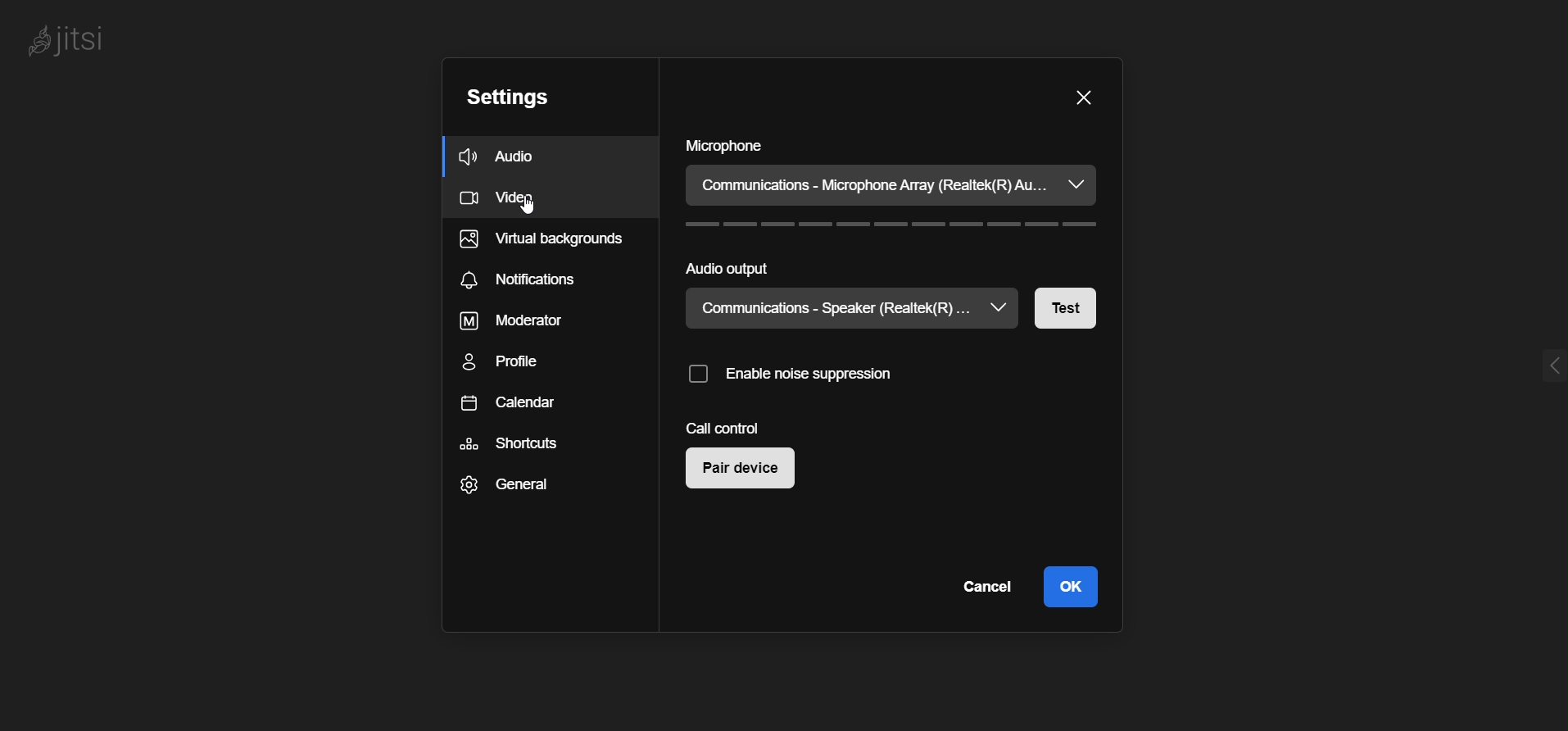 The height and width of the screenshot is (731, 1568). Describe the element at coordinates (518, 366) in the screenshot. I see `profile` at that location.